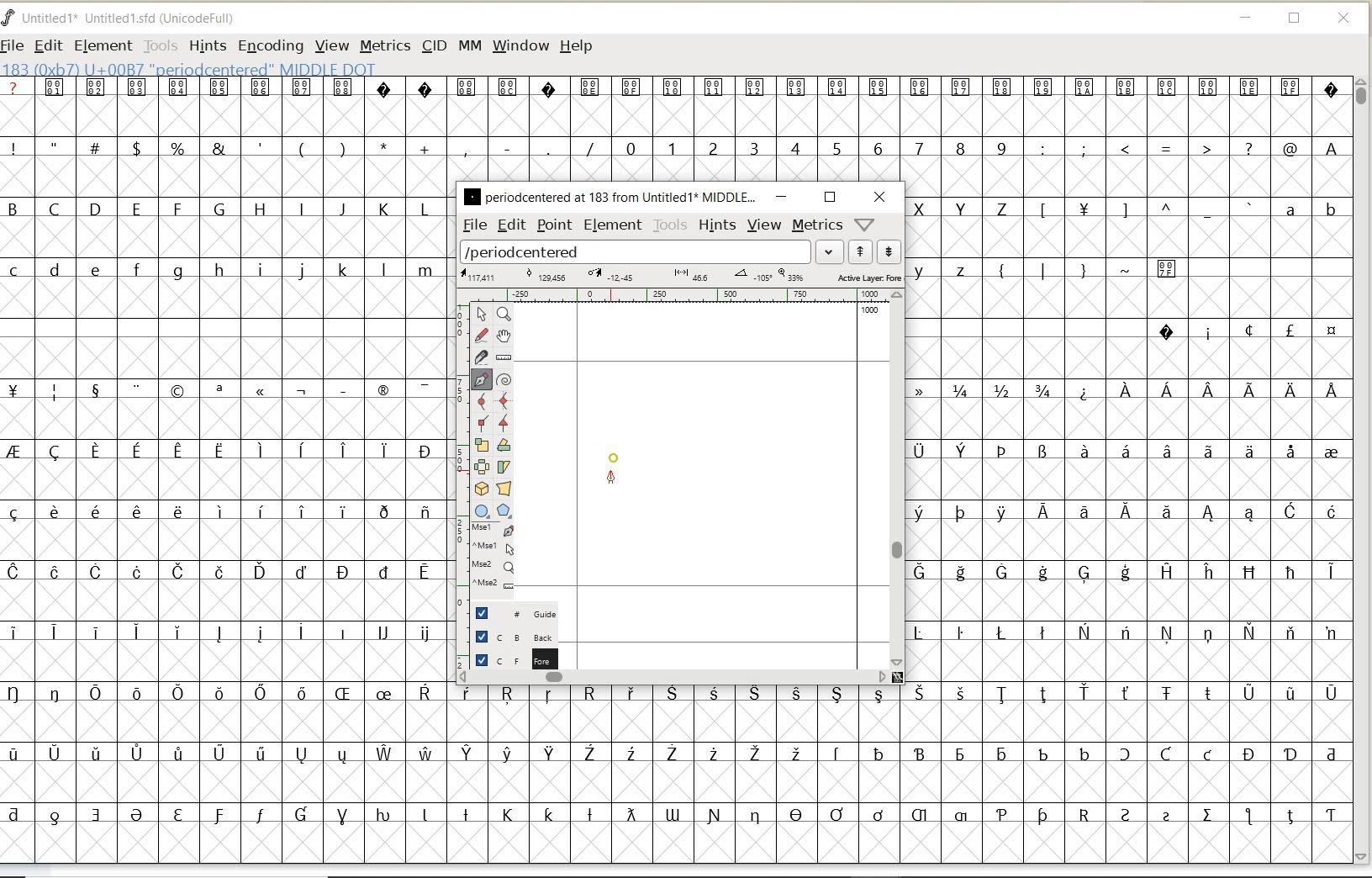  Describe the element at coordinates (818, 225) in the screenshot. I see `metrics` at that location.